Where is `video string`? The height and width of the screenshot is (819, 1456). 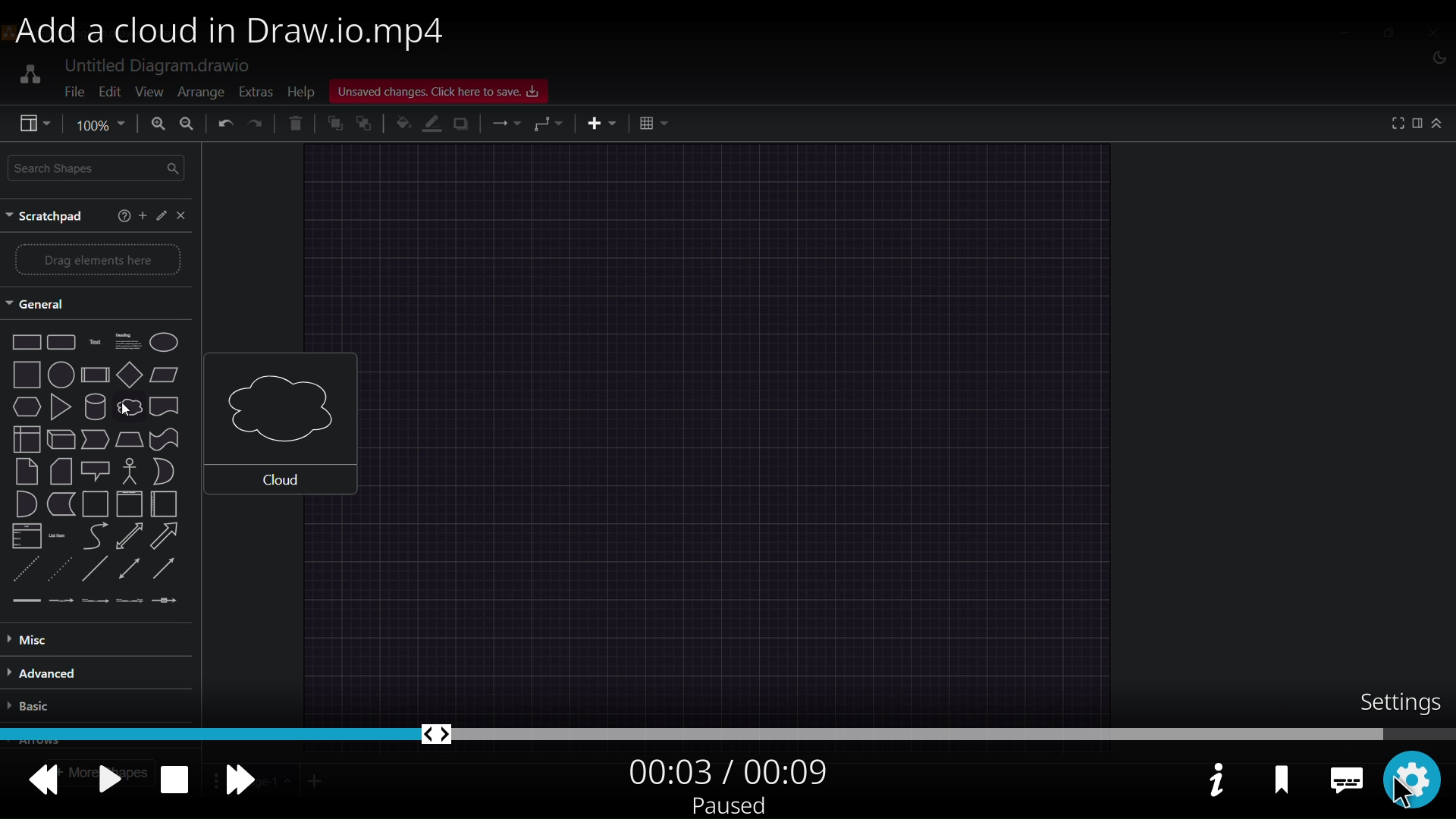 video string is located at coordinates (728, 732).